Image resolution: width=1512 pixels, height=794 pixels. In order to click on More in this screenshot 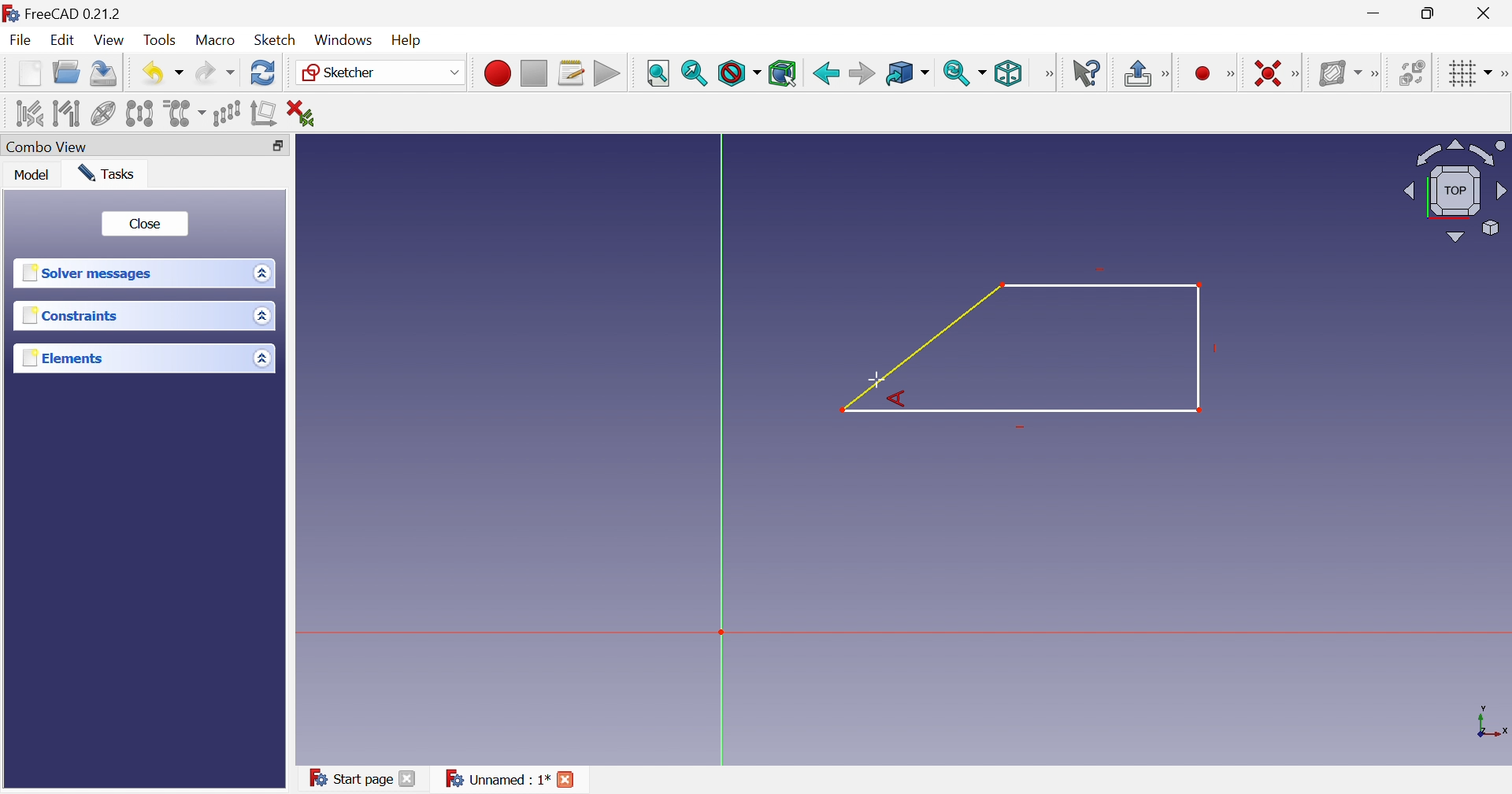, I will do `click(1503, 72)`.